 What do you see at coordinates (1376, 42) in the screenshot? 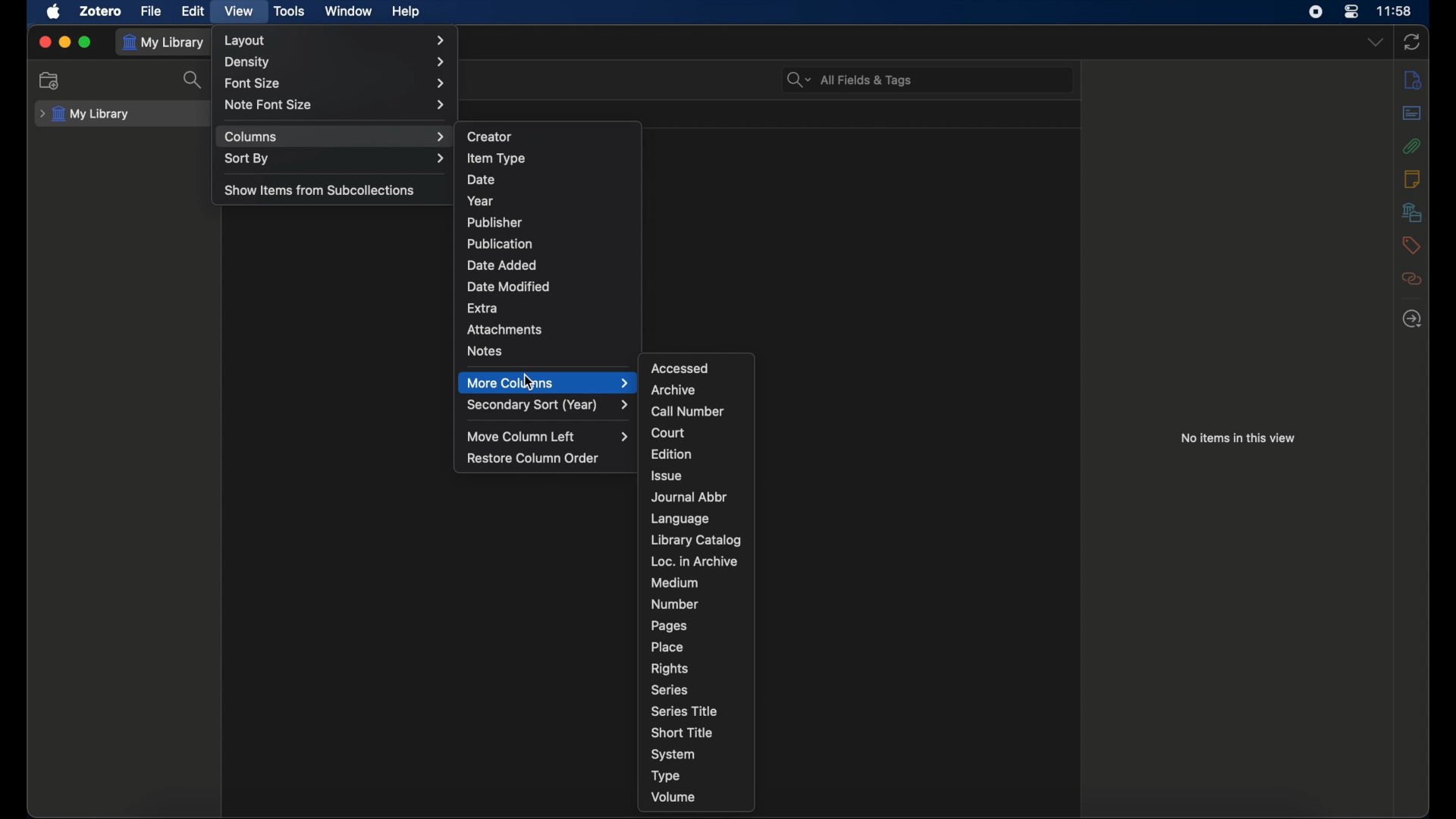
I see `dropdown` at bounding box center [1376, 42].